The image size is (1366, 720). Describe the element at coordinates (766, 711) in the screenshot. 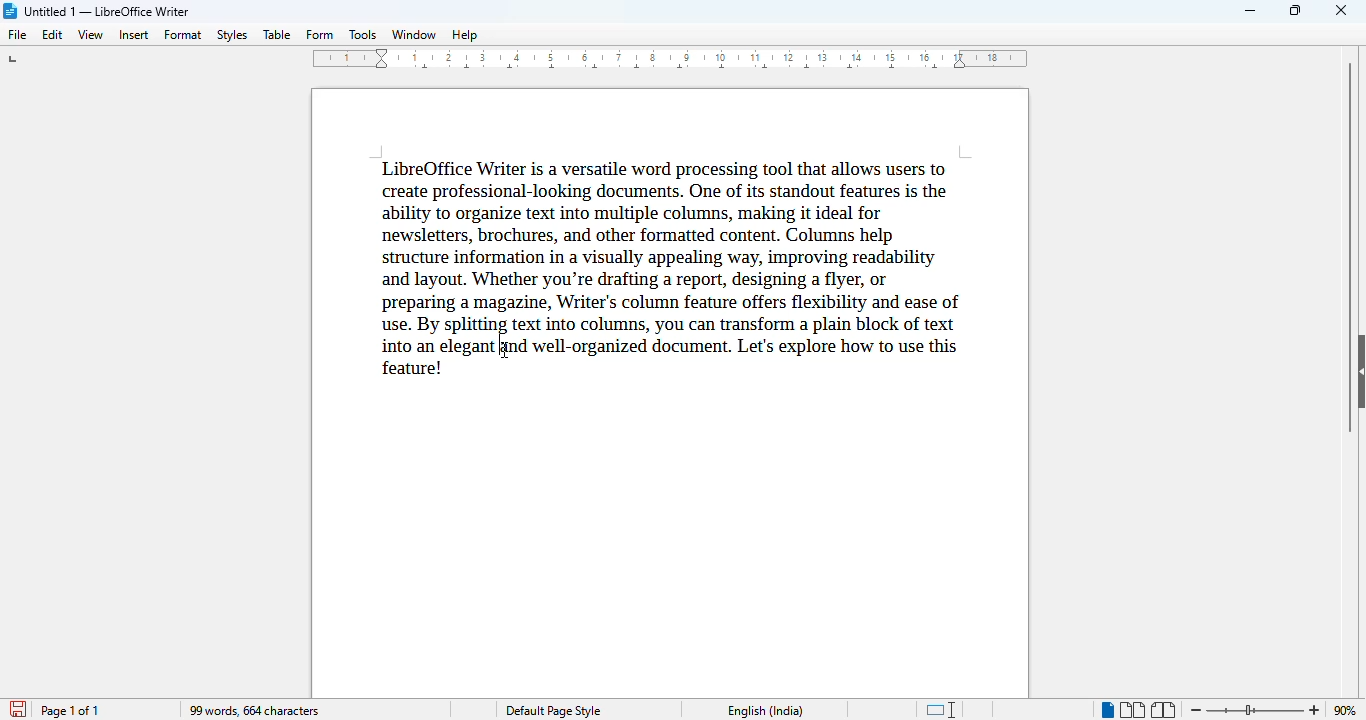

I see `English (India)` at that location.